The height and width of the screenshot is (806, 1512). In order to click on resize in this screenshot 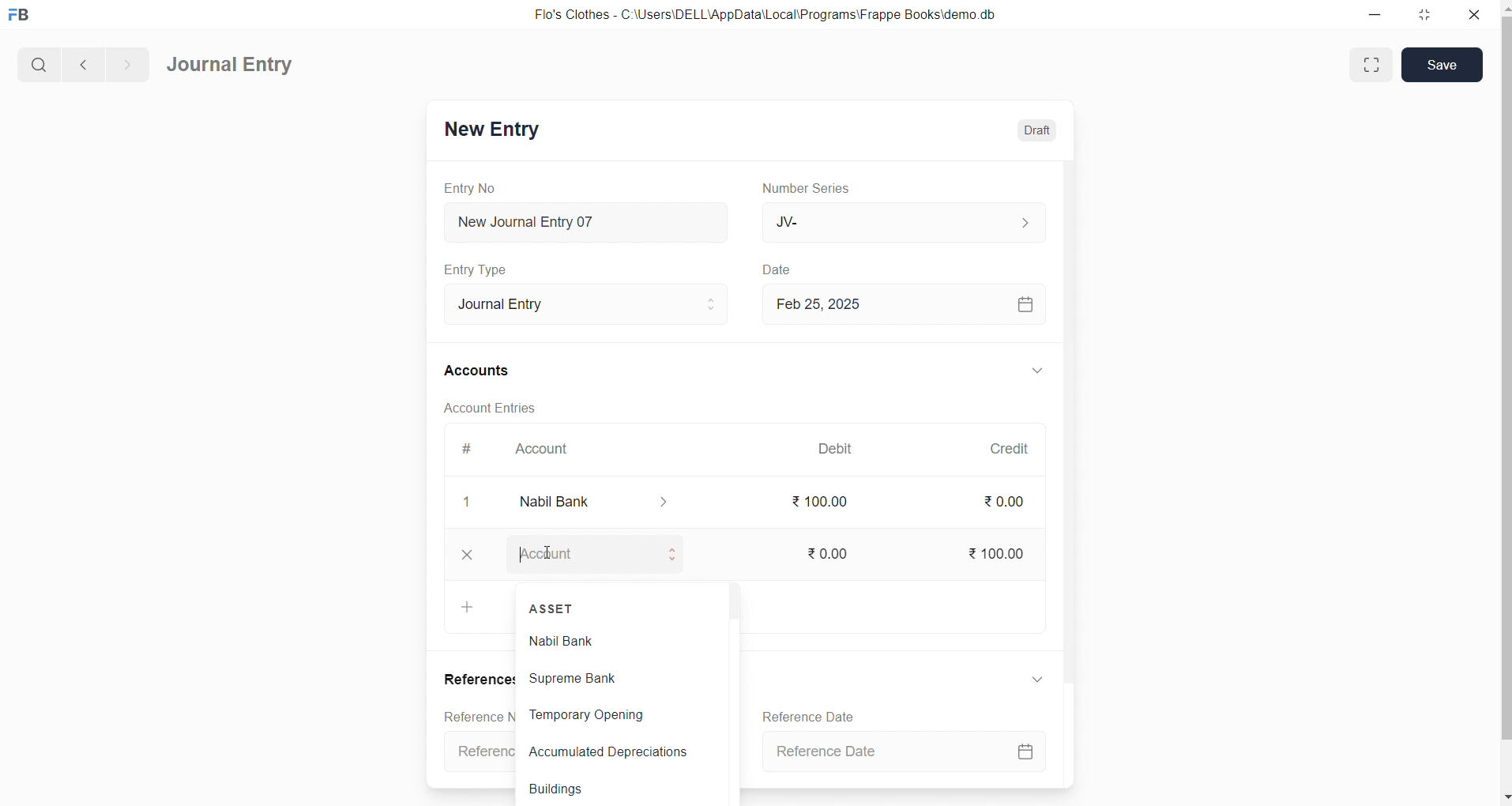, I will do `click(1429, 16)`.